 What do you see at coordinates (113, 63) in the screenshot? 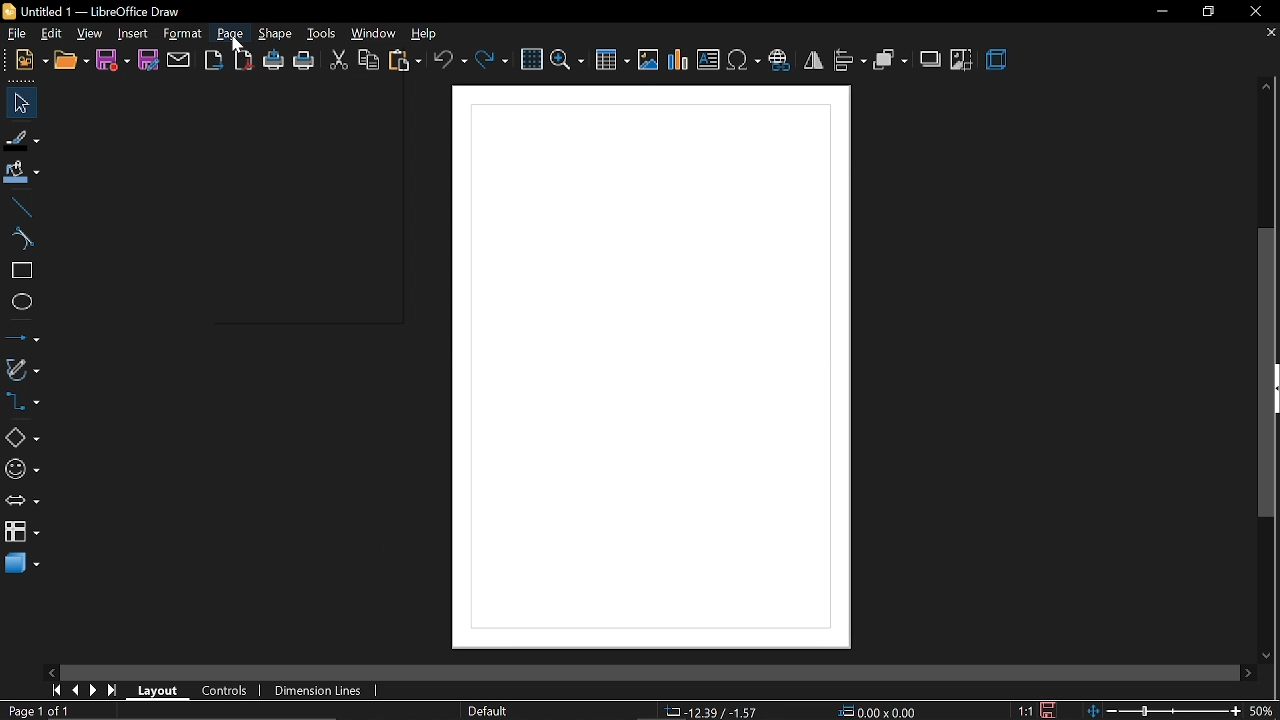
I see `save` at bounding box center [113, 63].